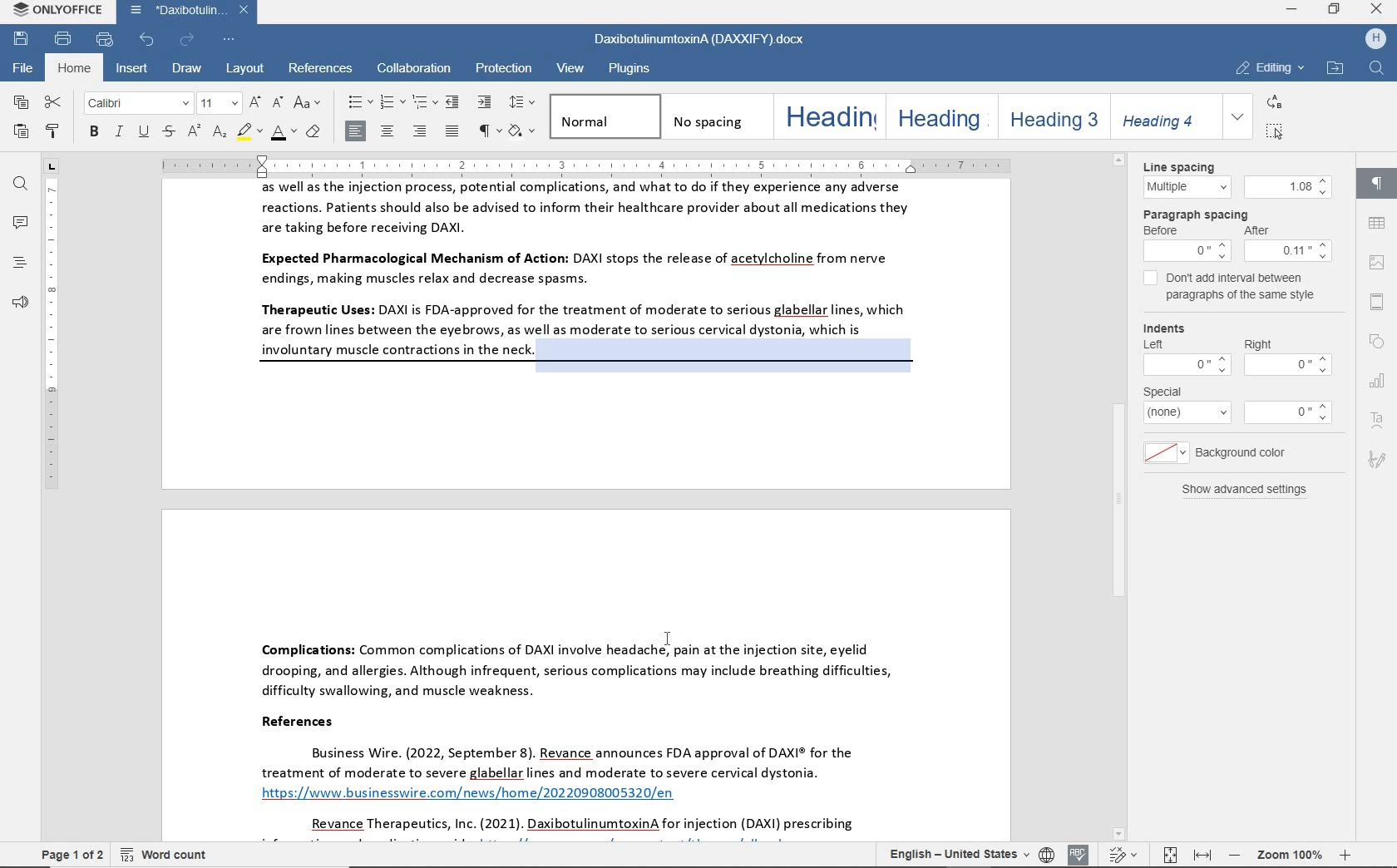  I want to click on italic, so click(119, 133).